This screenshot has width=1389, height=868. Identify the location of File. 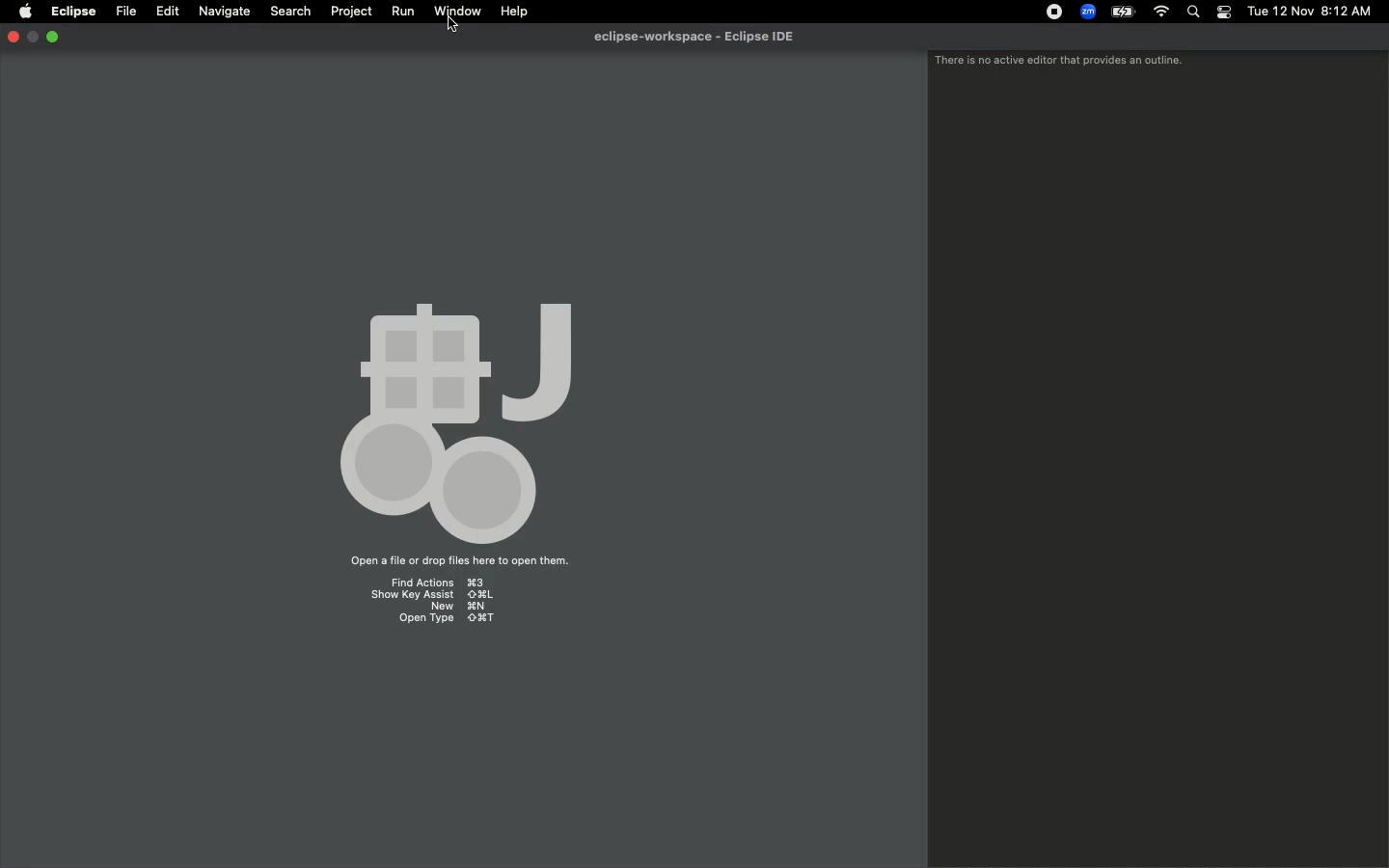
(125, 10).